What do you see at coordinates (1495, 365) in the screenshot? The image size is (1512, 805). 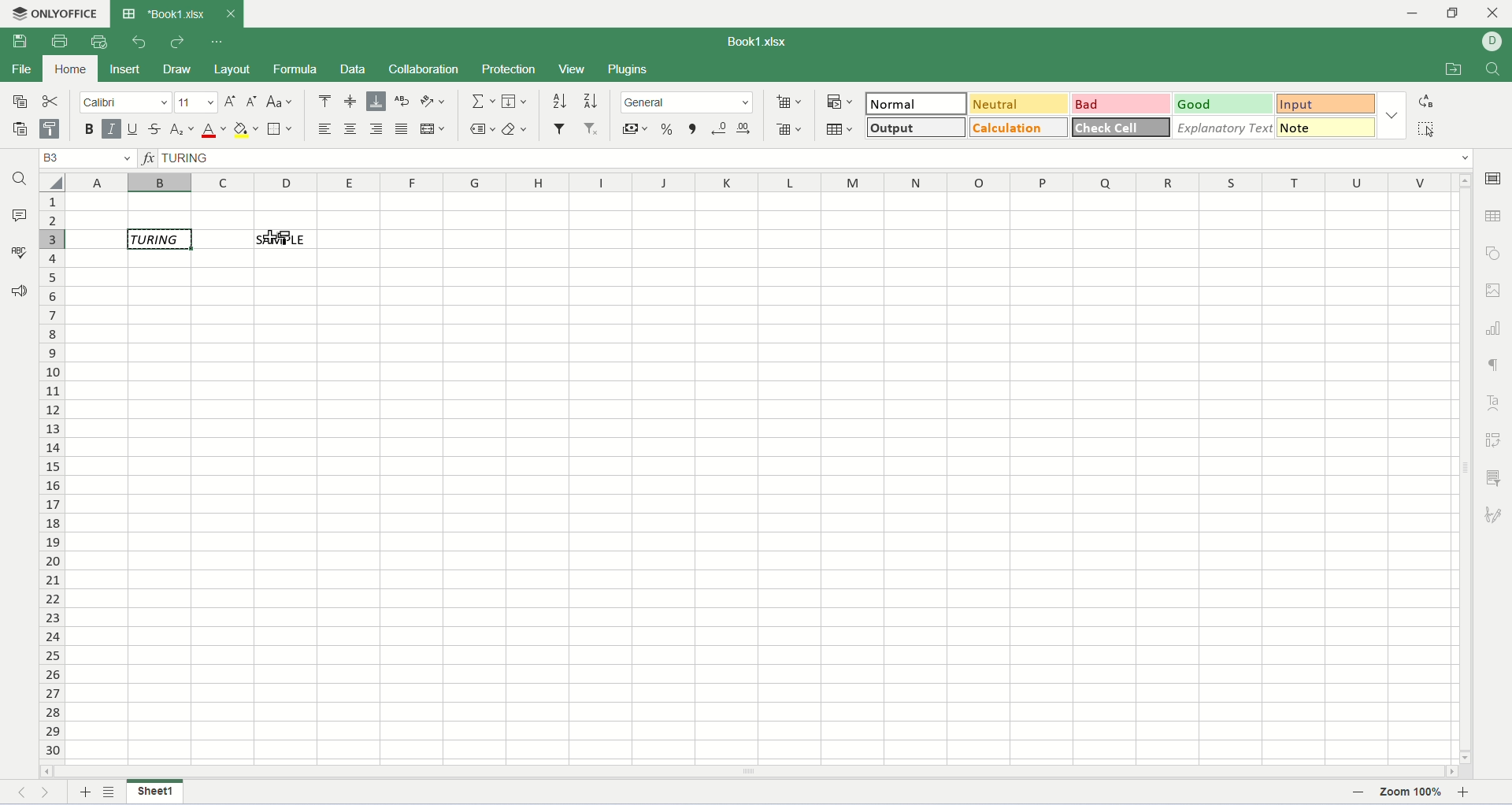 I see `paragraph settings` at bounding box center [1495, 365].